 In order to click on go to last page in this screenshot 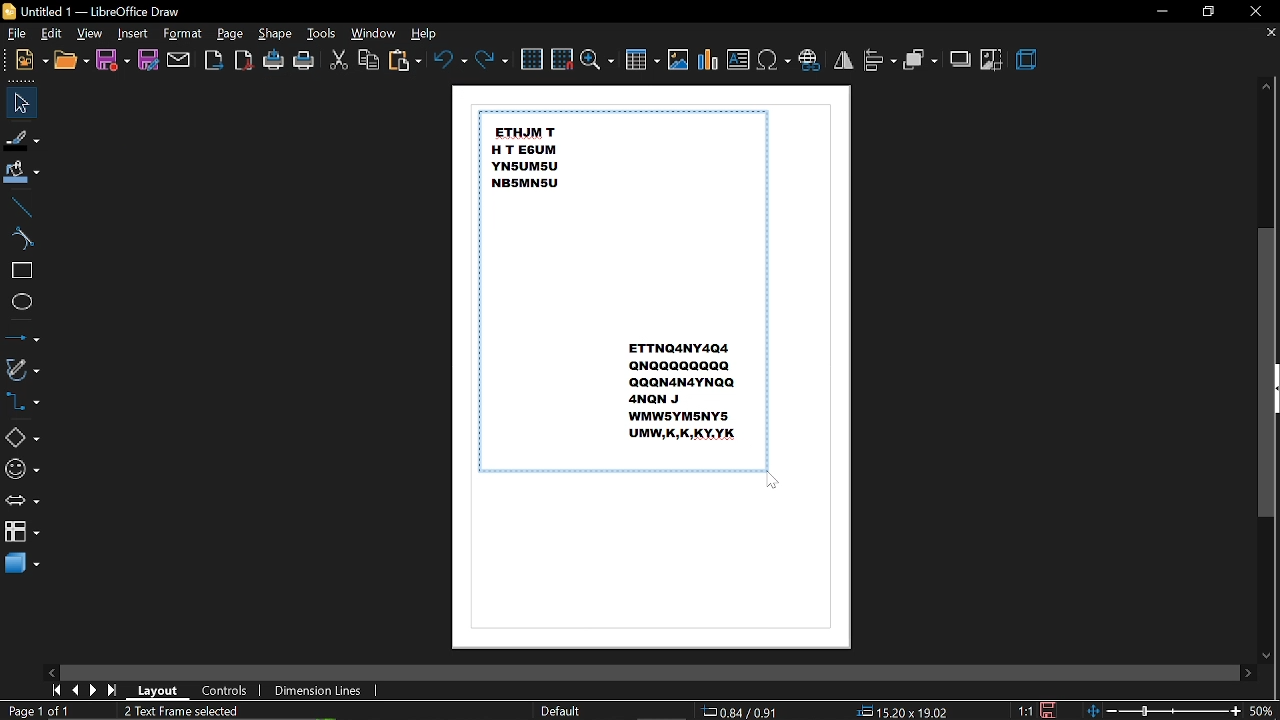, I will do `click(115, 690)`.